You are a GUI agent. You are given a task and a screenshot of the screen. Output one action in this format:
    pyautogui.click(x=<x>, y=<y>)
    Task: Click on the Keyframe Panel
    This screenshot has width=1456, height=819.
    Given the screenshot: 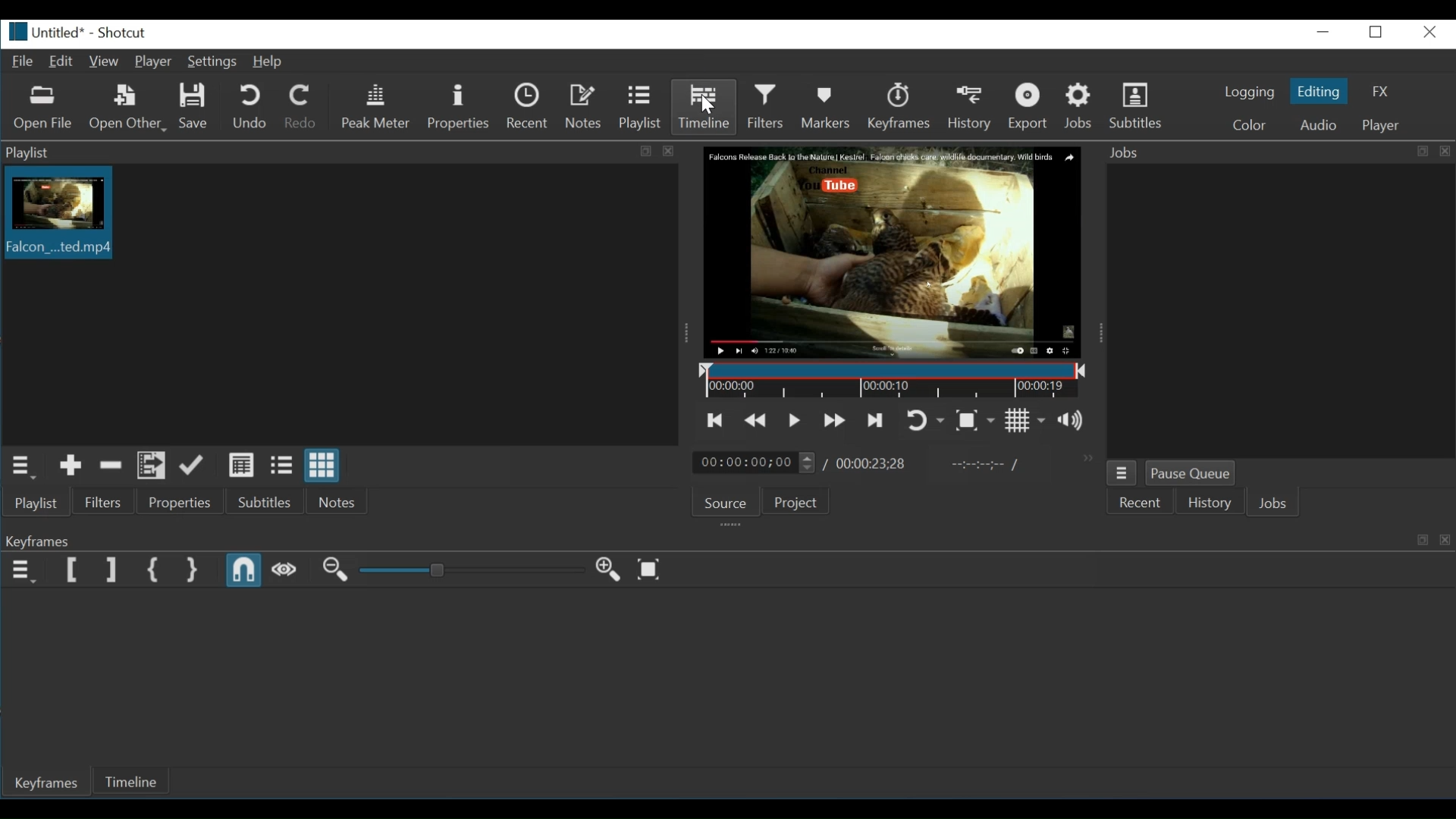 What is the action you would take?
    pyautogui.click(x=724, y=540)
    